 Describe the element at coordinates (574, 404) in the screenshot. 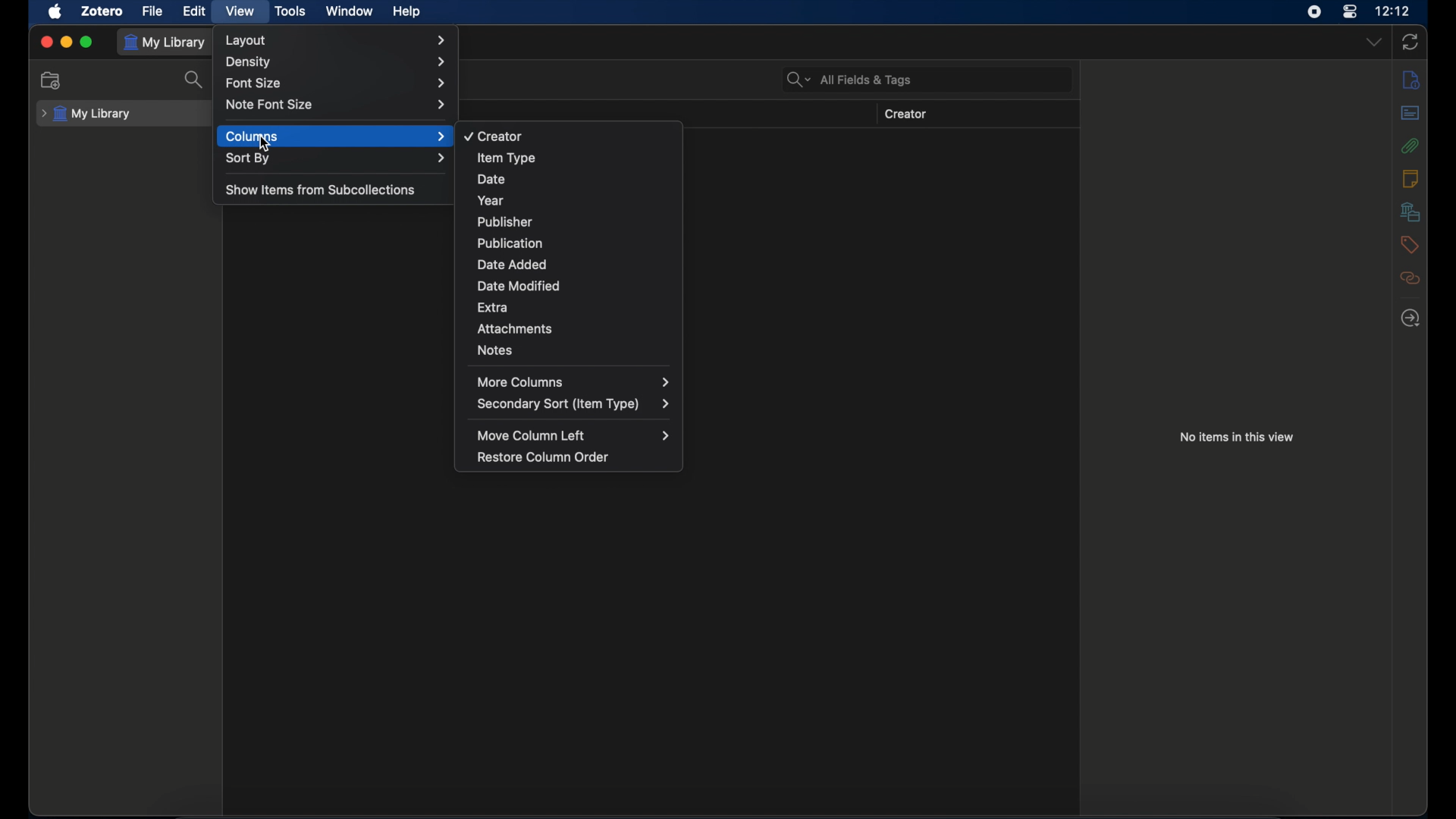

I see `secondary sort` at that location.